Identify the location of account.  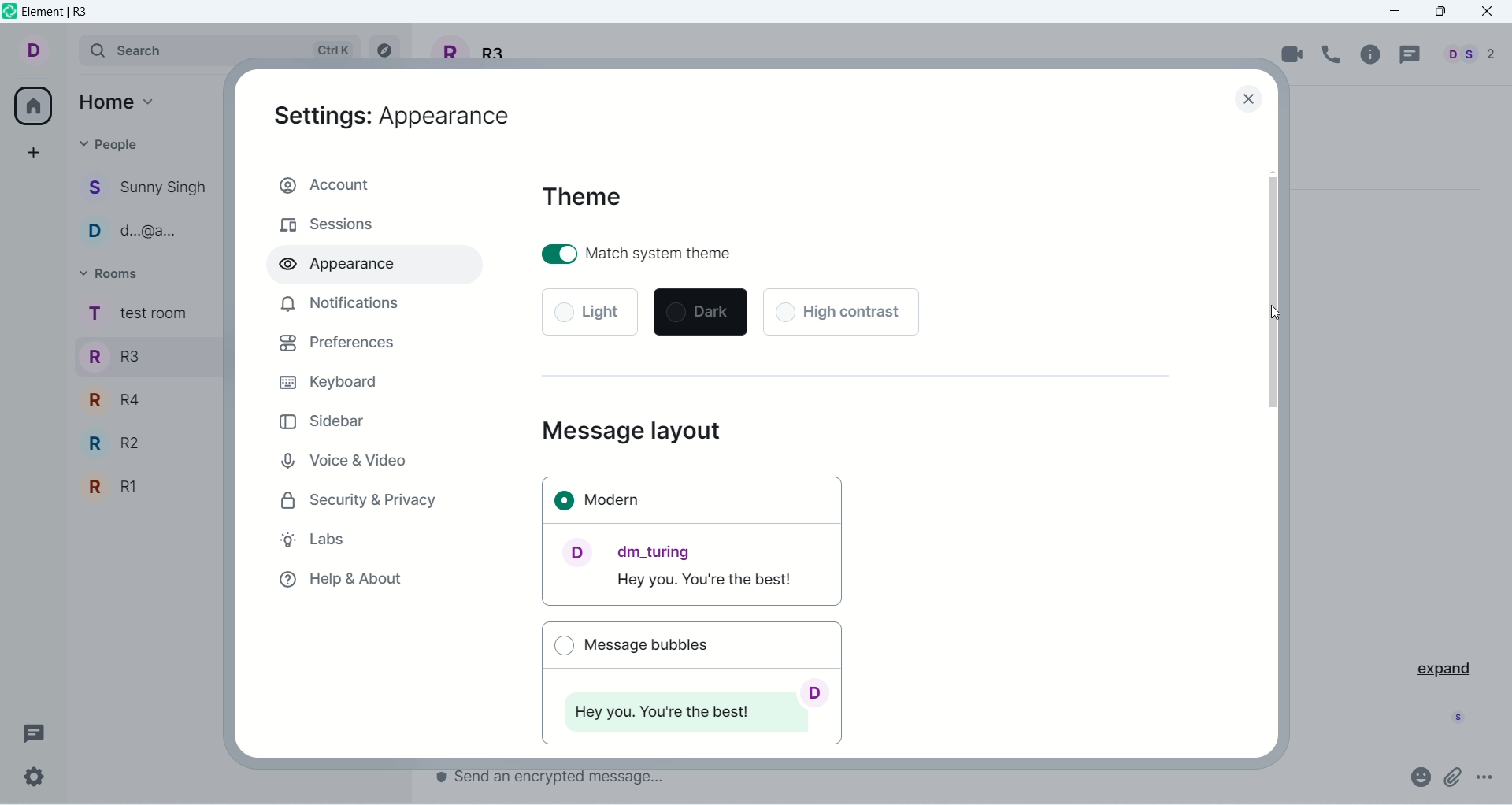
(44, 51).